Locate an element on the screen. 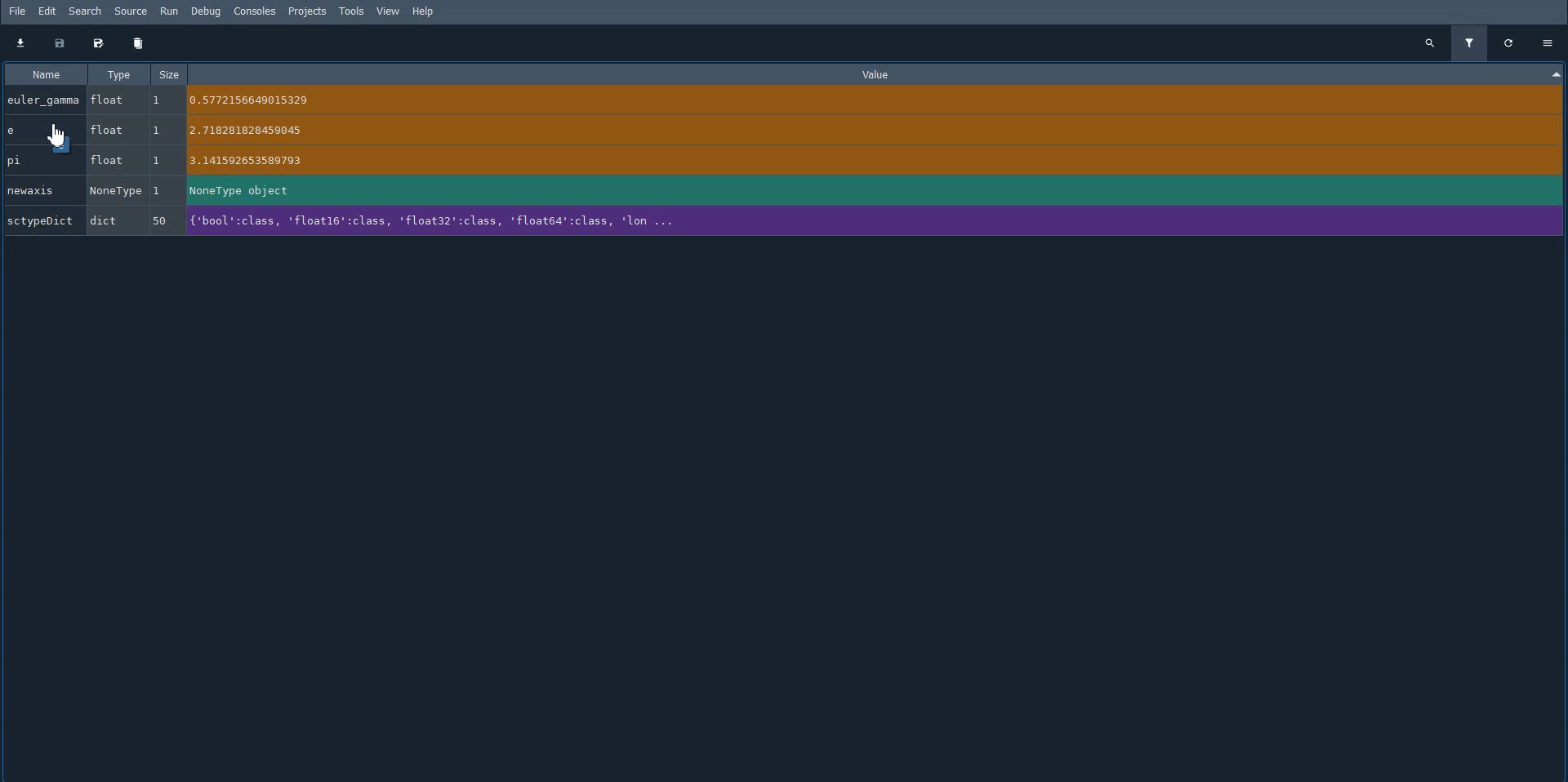  Debug is located at coordinates (209, 11).